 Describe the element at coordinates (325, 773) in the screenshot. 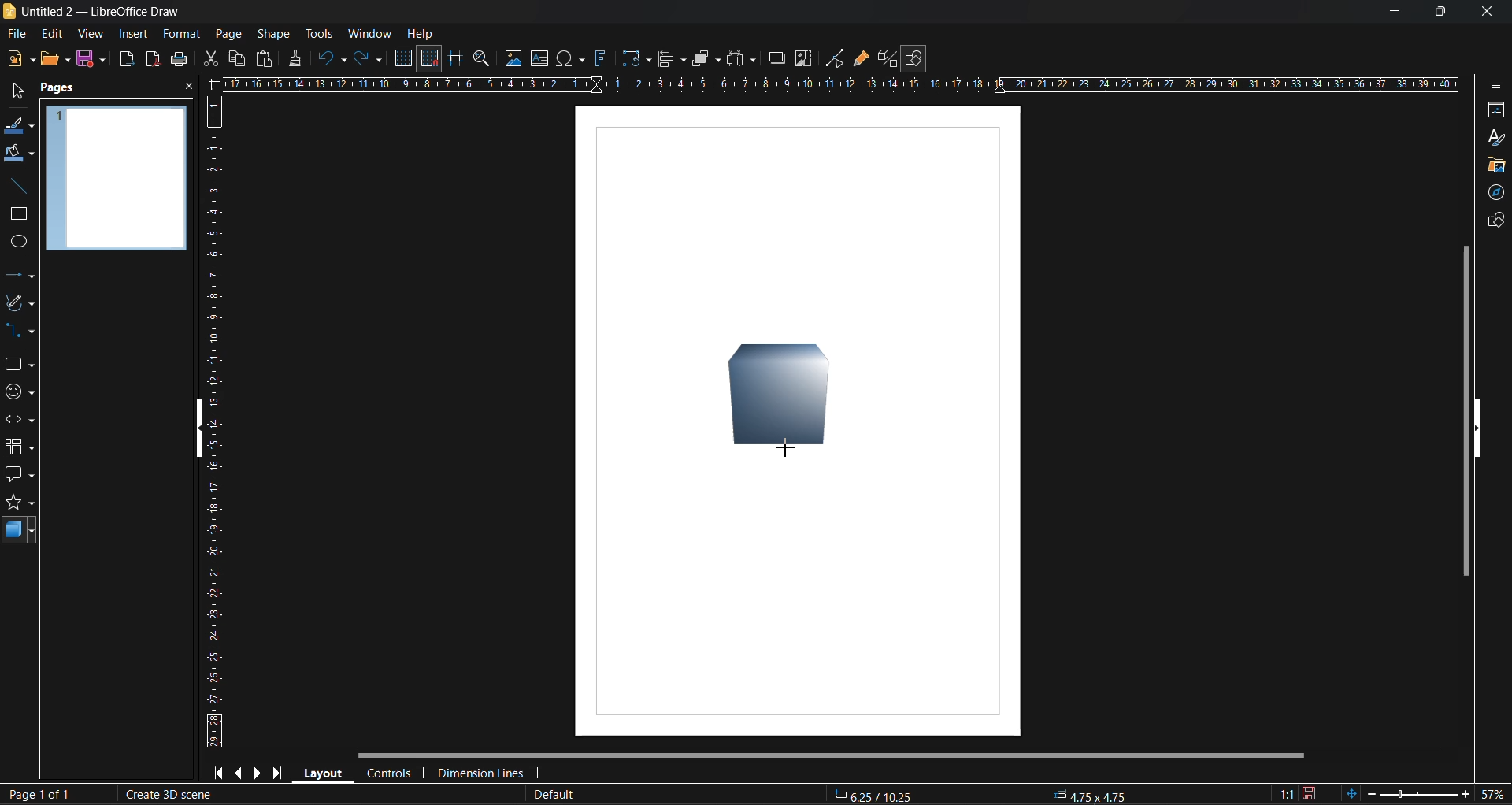

I see `layout` at that location.